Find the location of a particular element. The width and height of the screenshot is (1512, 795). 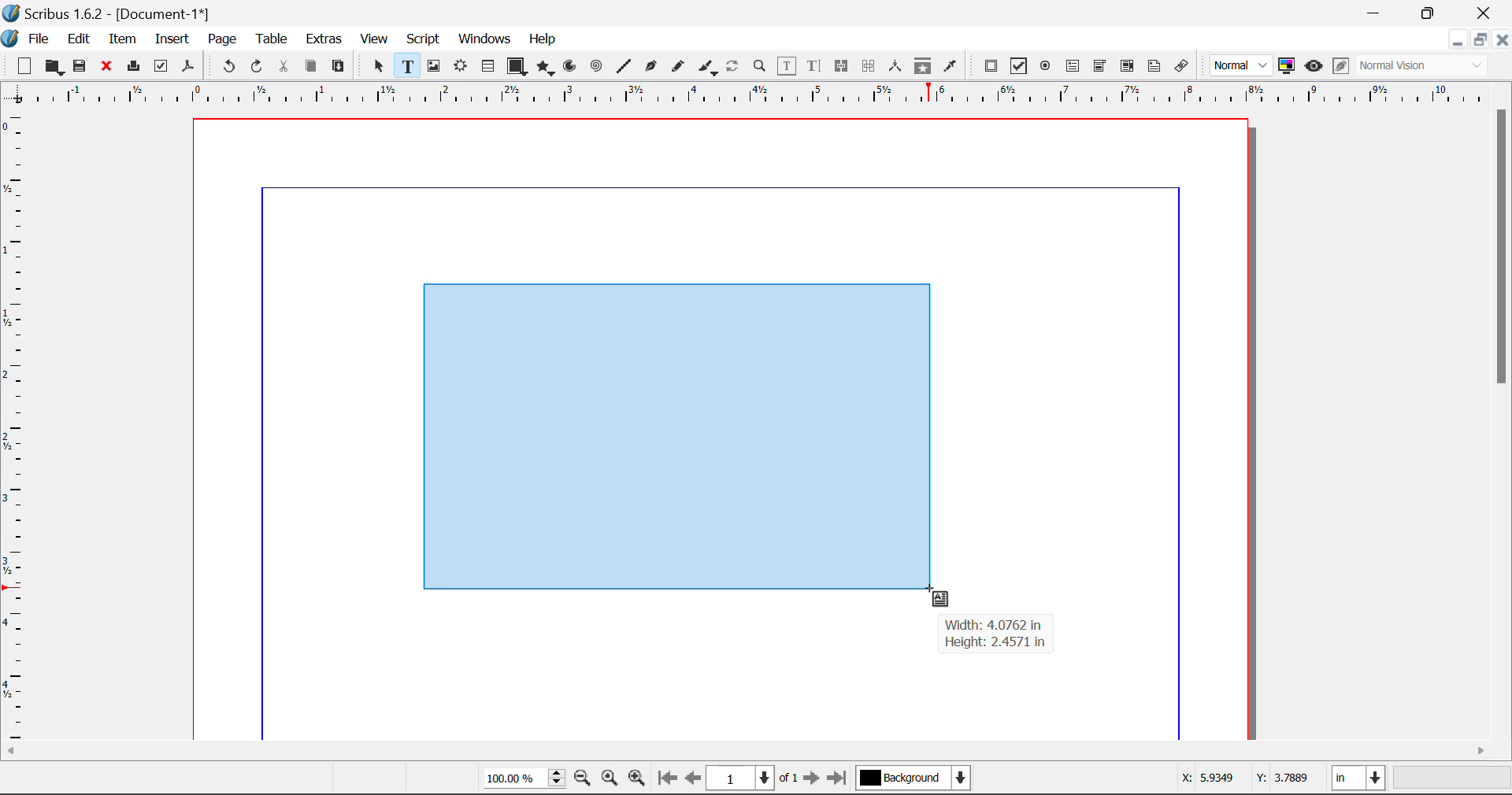

Previous Page is located at coordinates (695, 781).